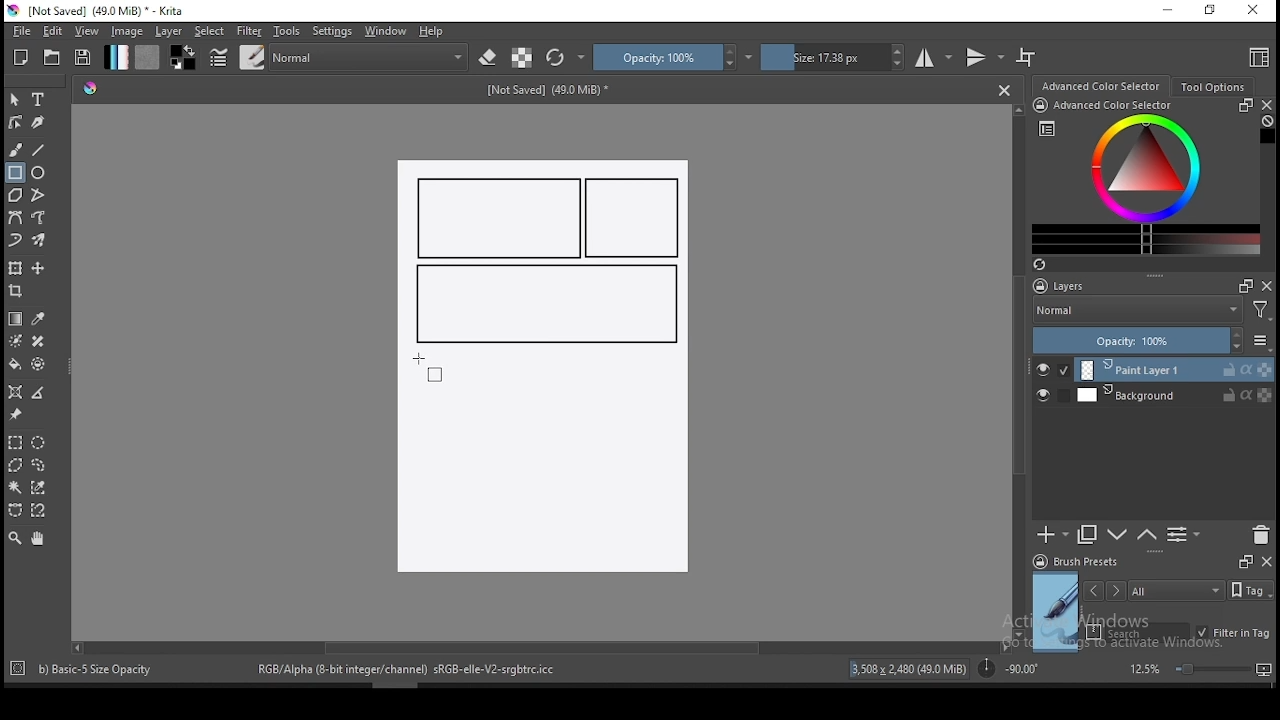  What do you see at coordinates (1266, 105) in the screenshot?
I see `close docker` at bounding box center [1266, 105].